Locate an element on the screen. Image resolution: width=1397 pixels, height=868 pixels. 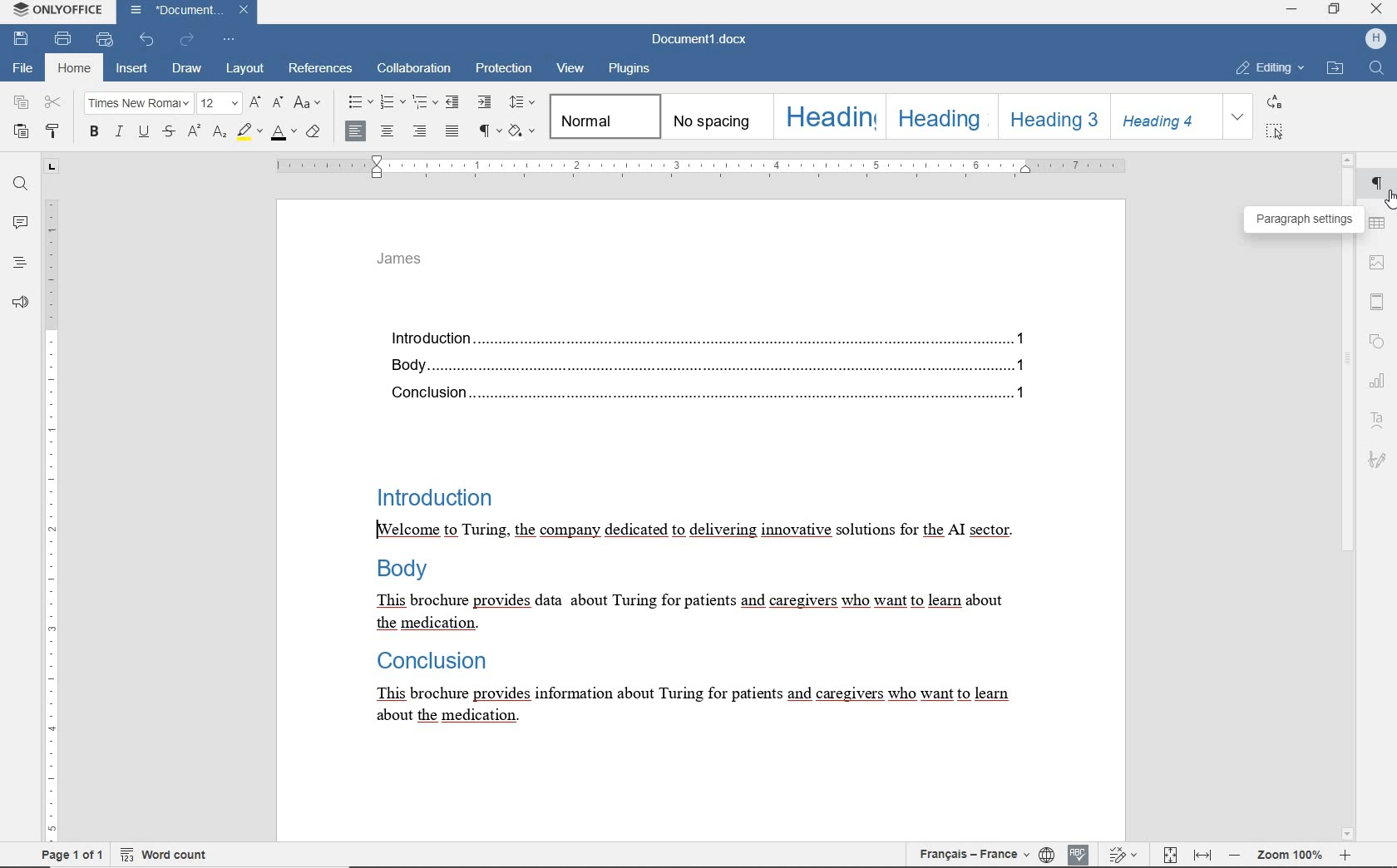
text language is located at coordinates (971, 856).